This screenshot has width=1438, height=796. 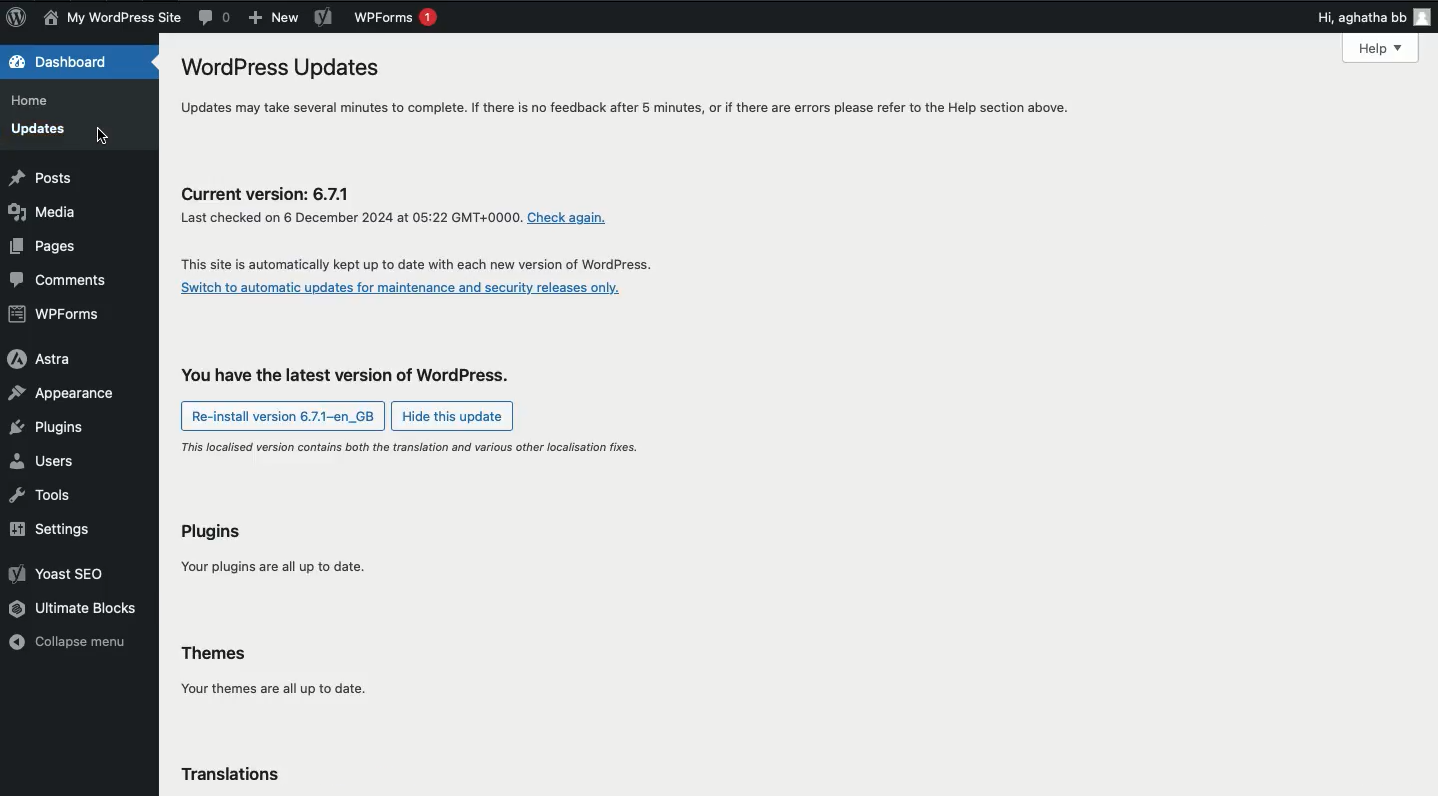 What do you see at coordinates (35, 102) in the screenshot?
I see `Home` at bounding box center [35, 102].